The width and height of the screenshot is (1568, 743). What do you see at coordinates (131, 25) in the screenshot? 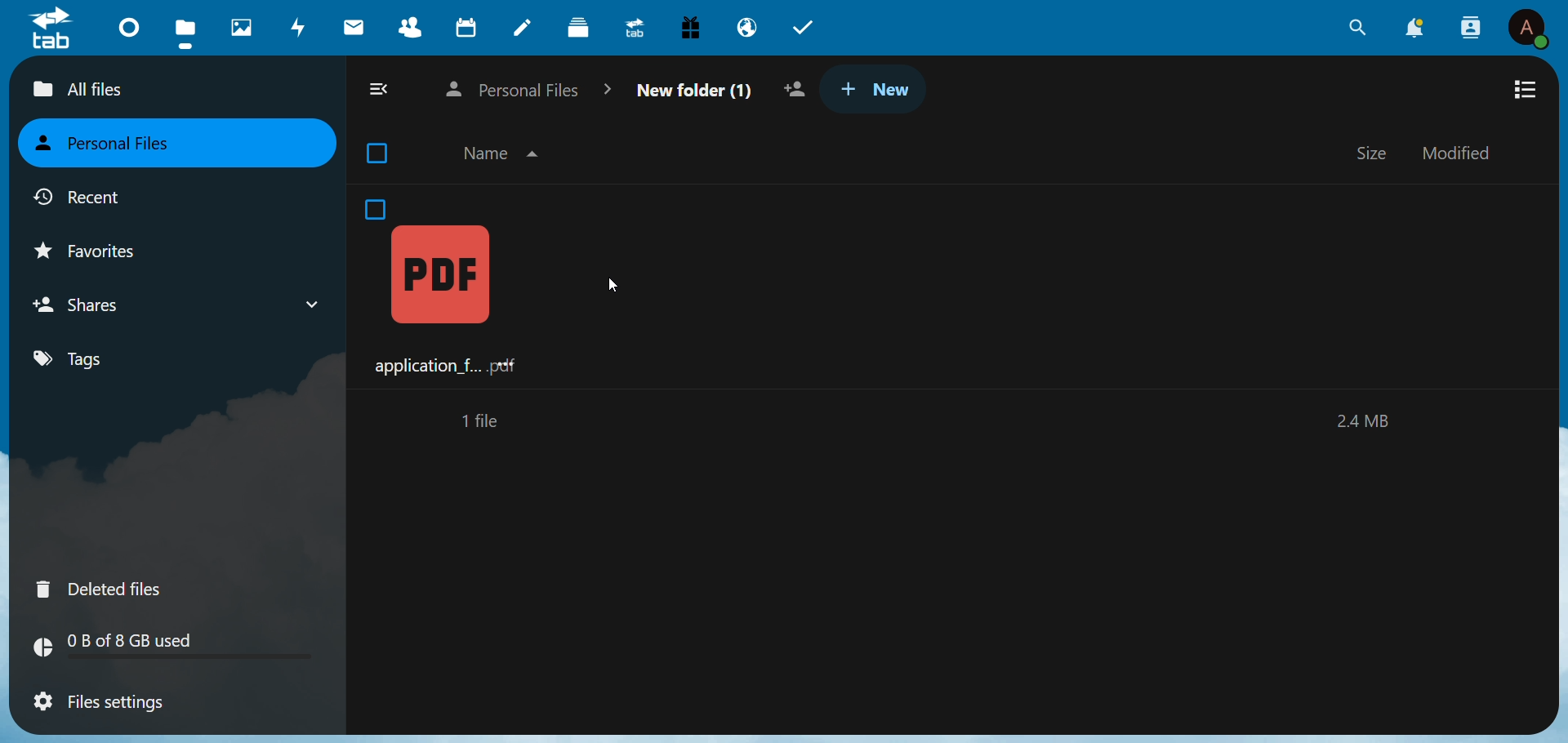
I see `dashboard` at bounding box center [131, 25].